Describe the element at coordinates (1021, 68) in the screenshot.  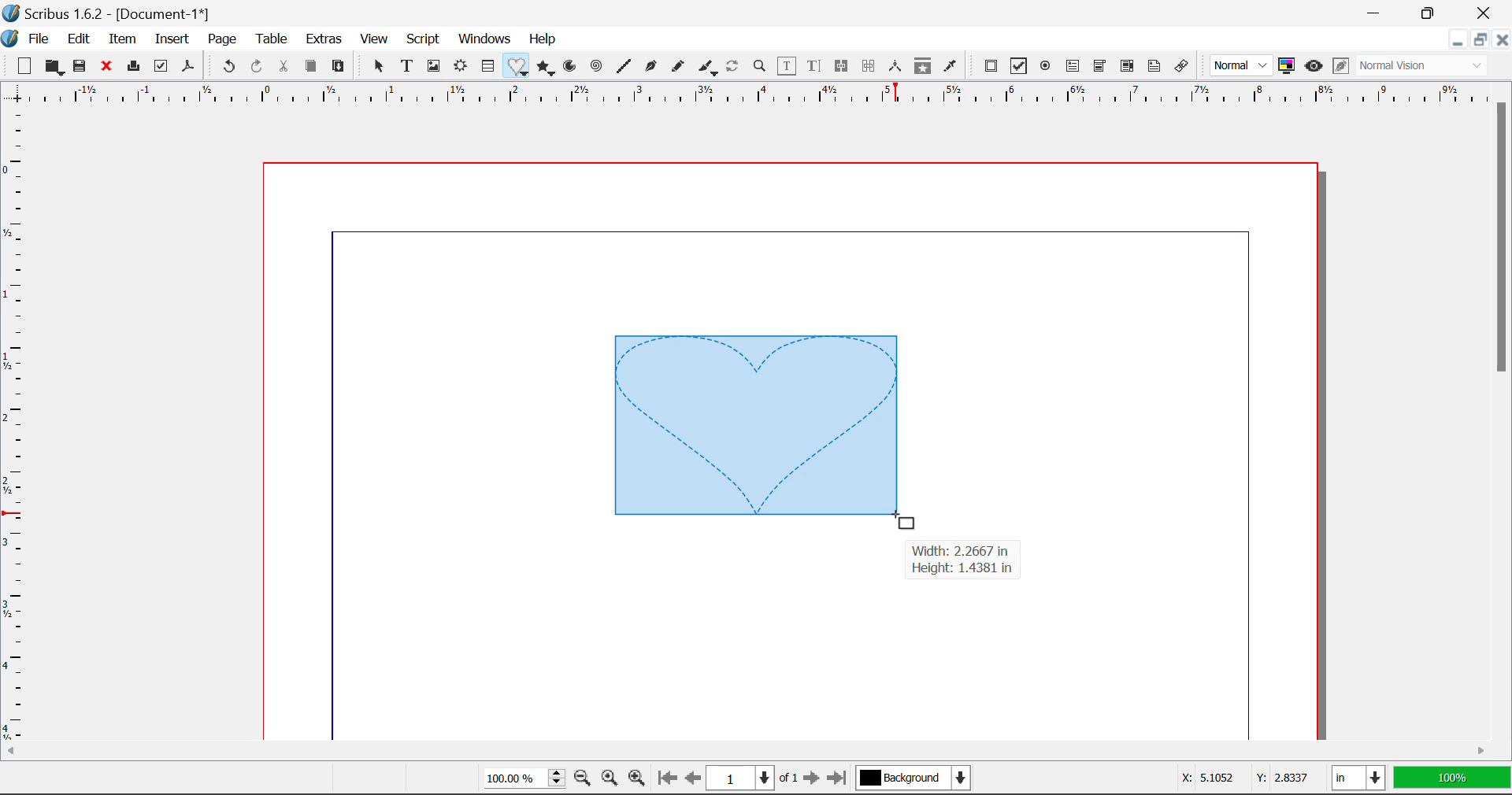
I see `Pdf Checkbox` at that location.